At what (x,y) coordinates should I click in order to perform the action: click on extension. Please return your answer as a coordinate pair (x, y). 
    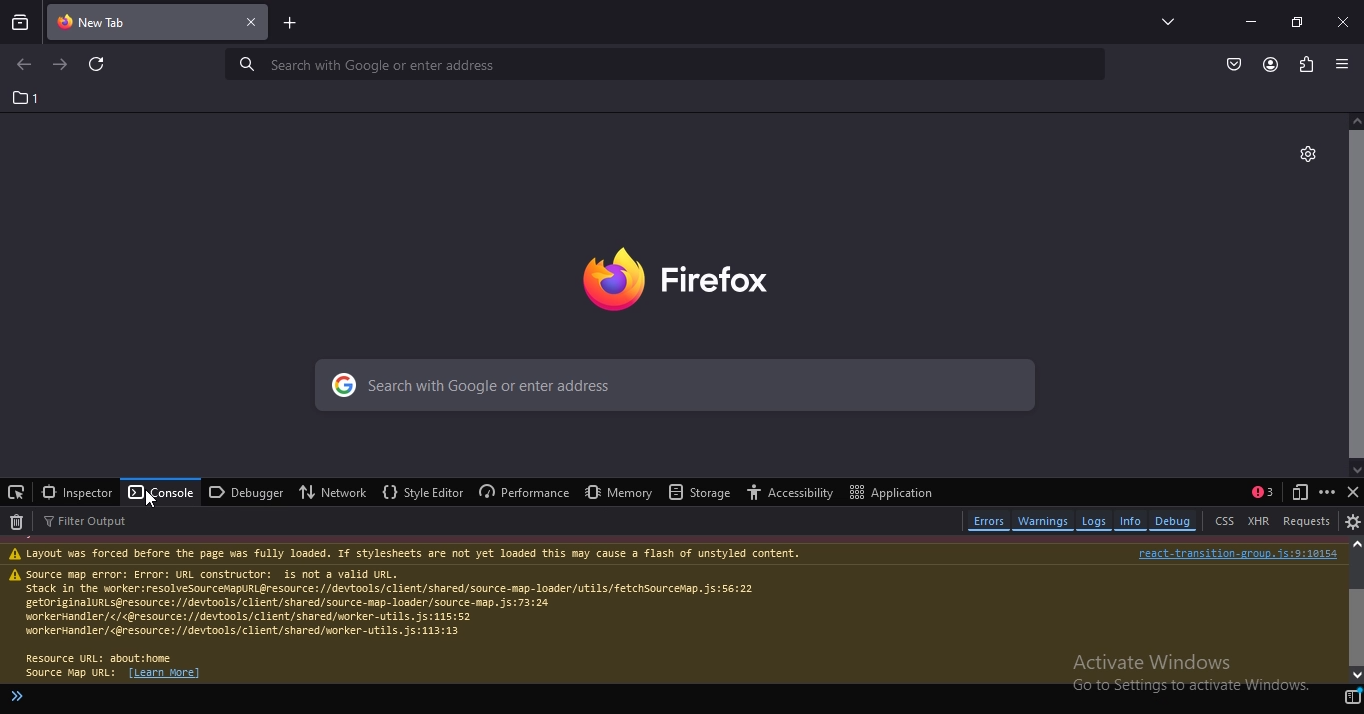
    Looking at the image, I should click on (1307, 65).